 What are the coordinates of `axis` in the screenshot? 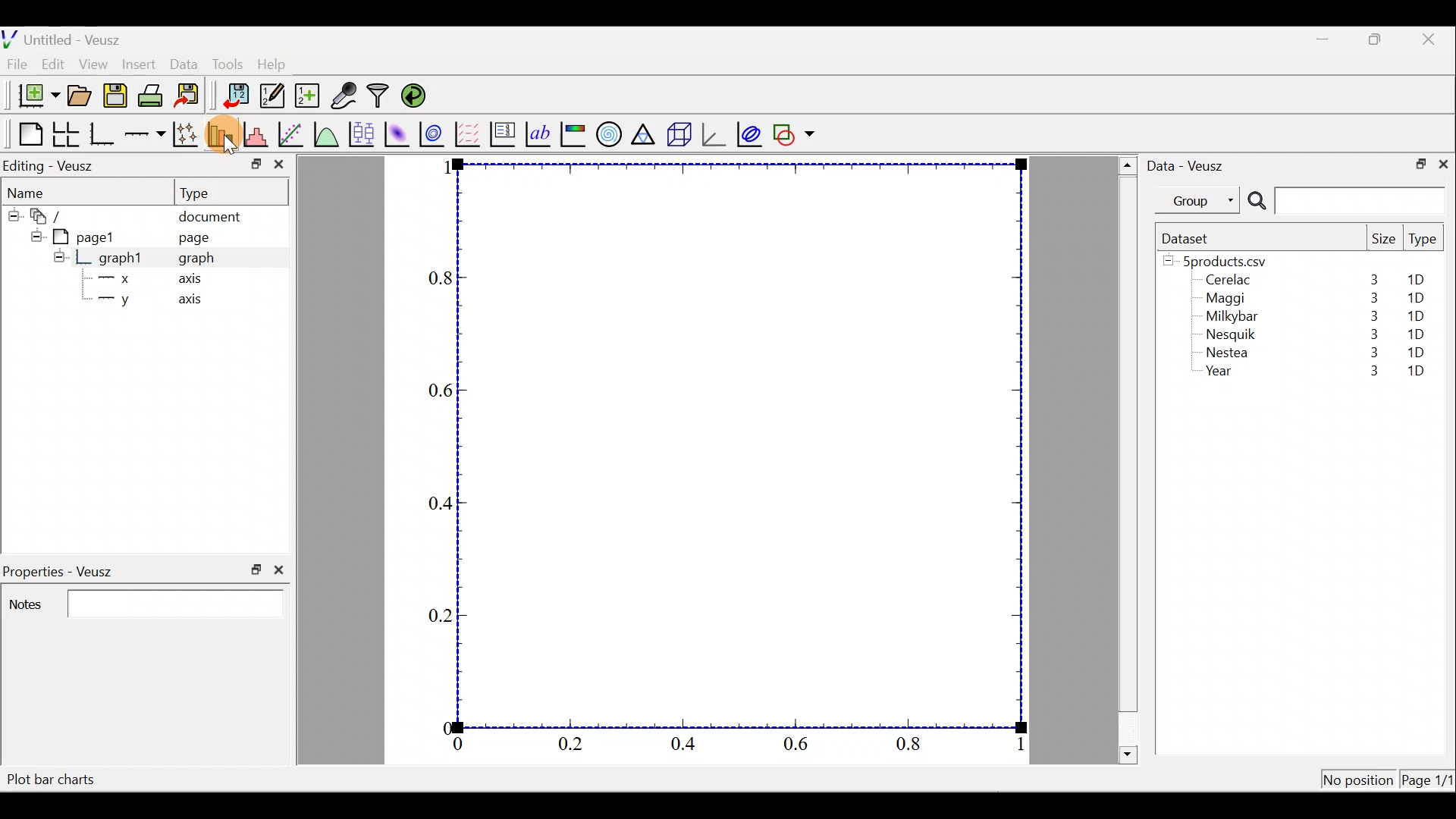 It's located at (197, 300).